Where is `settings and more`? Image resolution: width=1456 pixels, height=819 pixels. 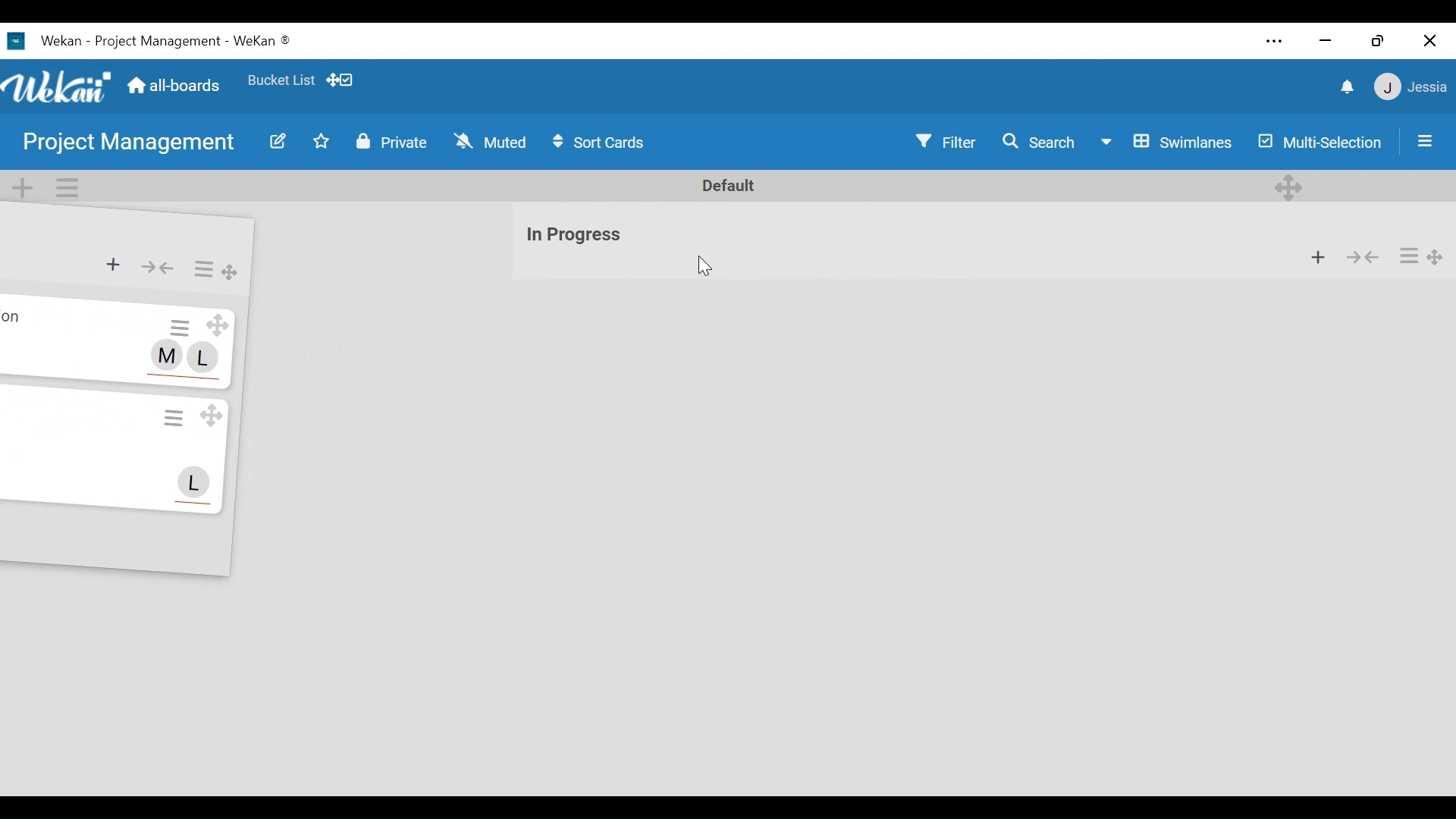 settings and more is located at coordinates (1275, 41).